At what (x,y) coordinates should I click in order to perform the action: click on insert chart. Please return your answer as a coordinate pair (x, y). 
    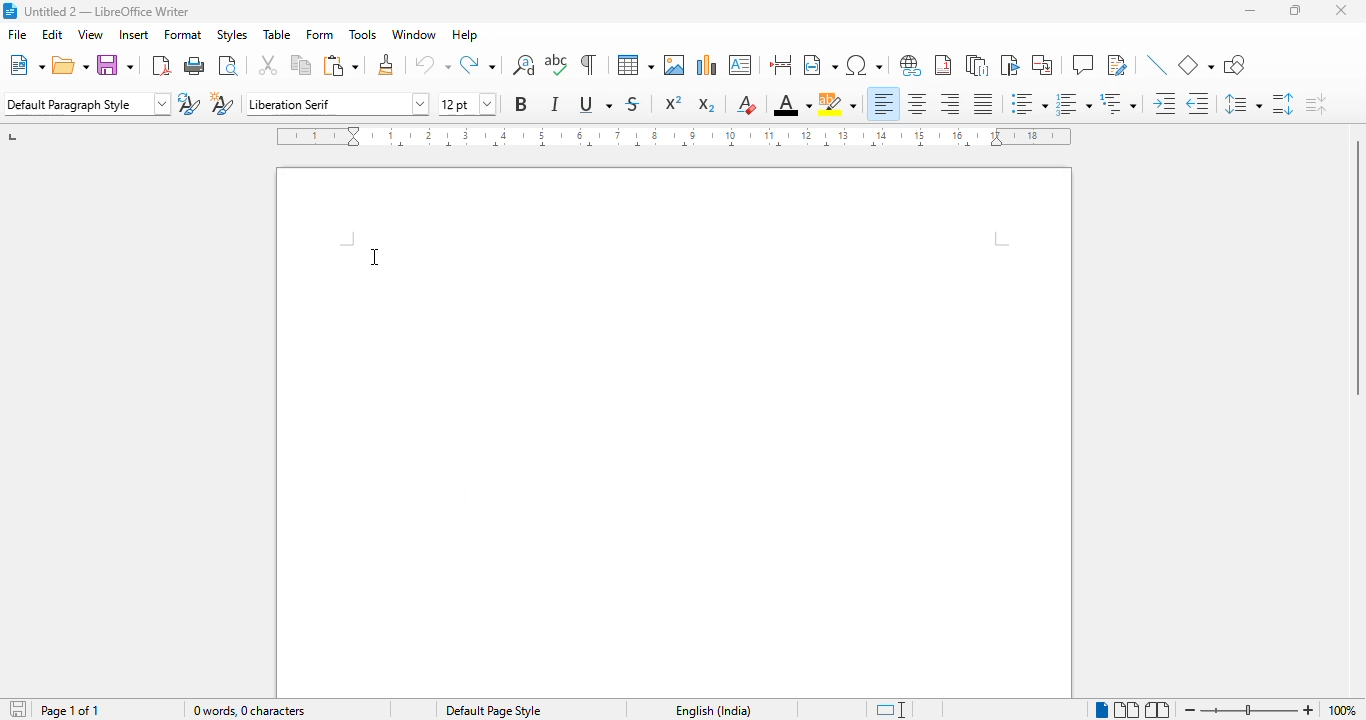
    Looking at the image, I should click on (707, 65).